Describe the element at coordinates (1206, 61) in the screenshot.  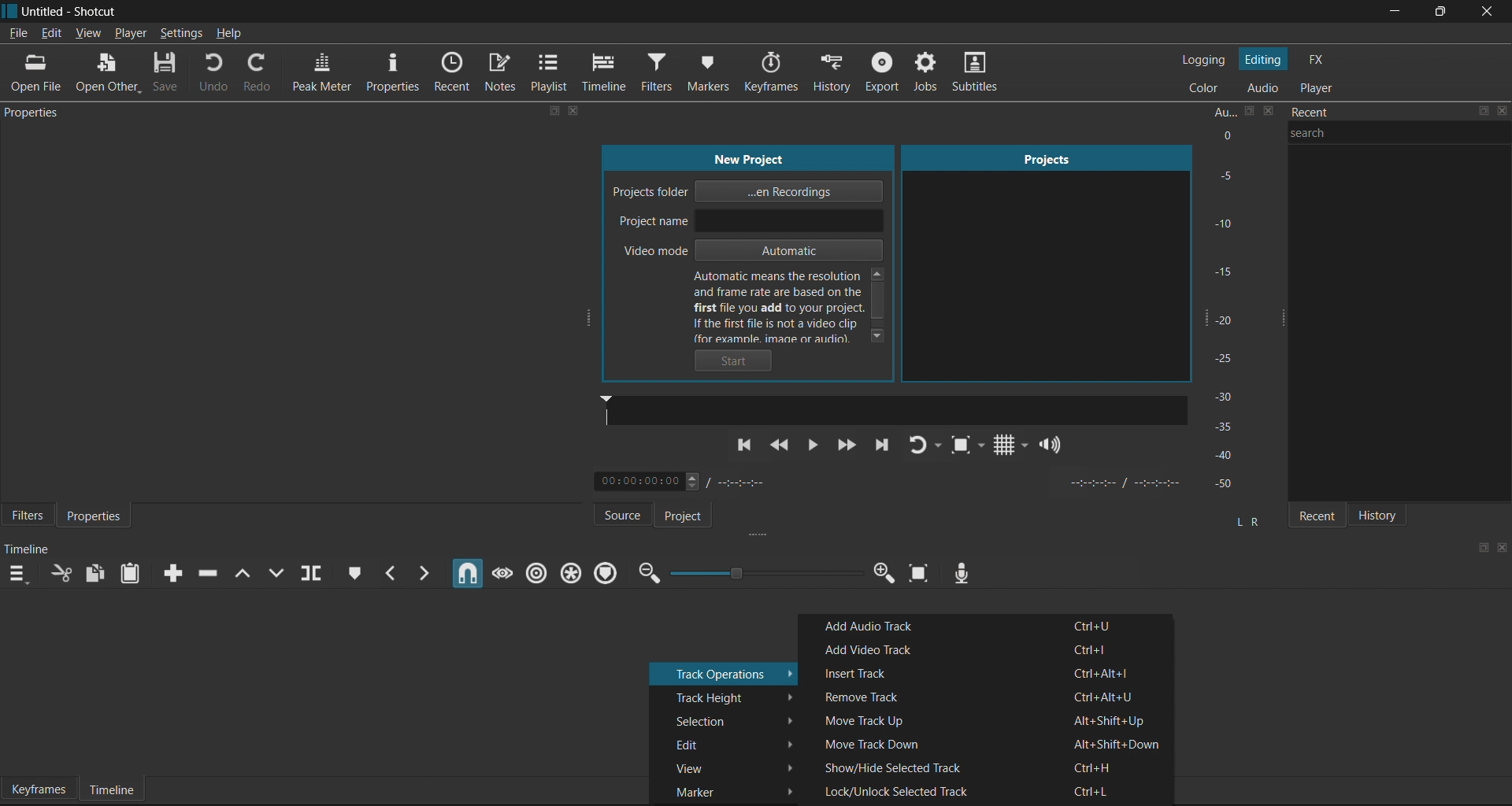
I see `Logging` at that location.